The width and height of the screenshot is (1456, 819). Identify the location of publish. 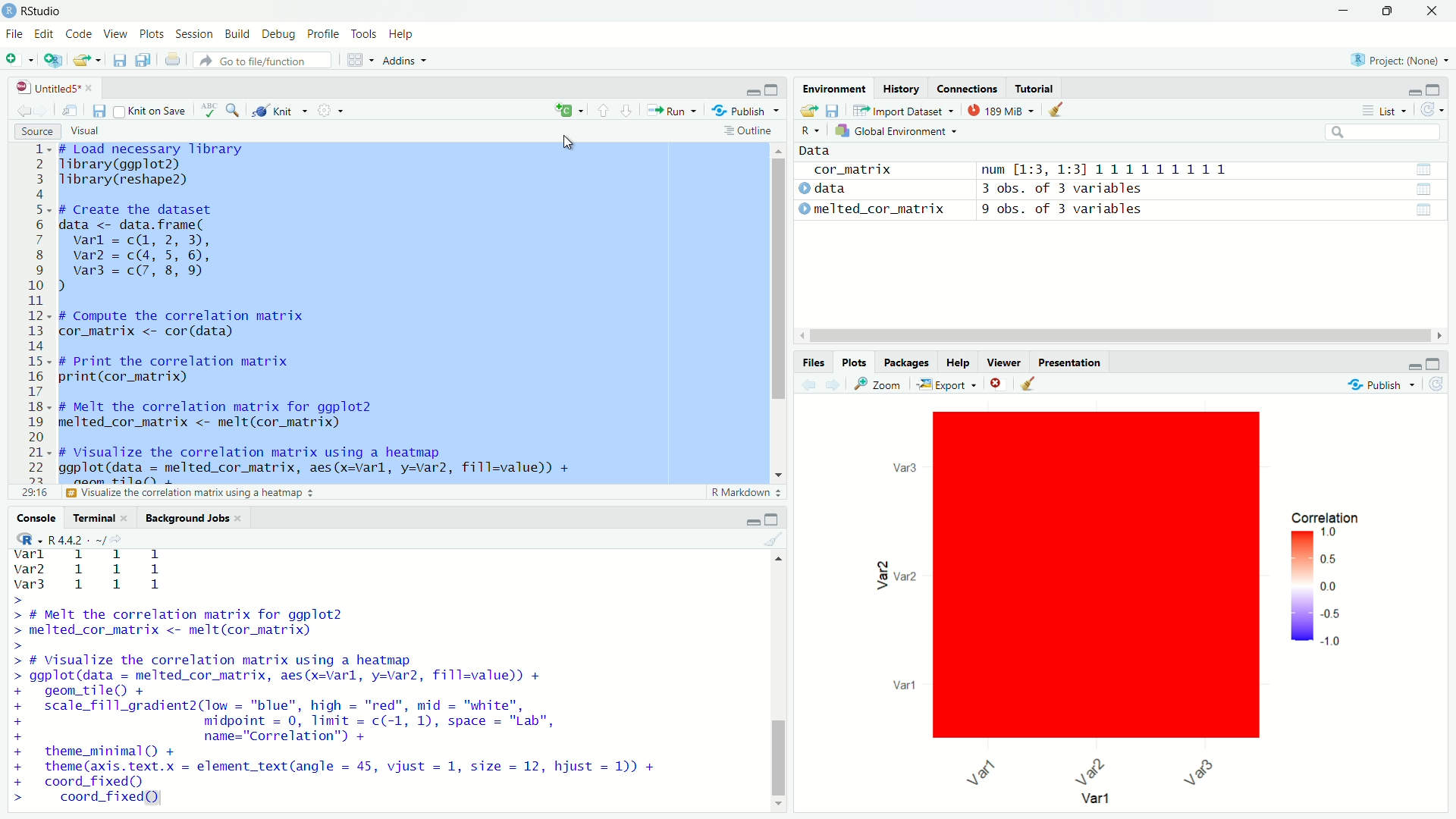
(1379, 385).